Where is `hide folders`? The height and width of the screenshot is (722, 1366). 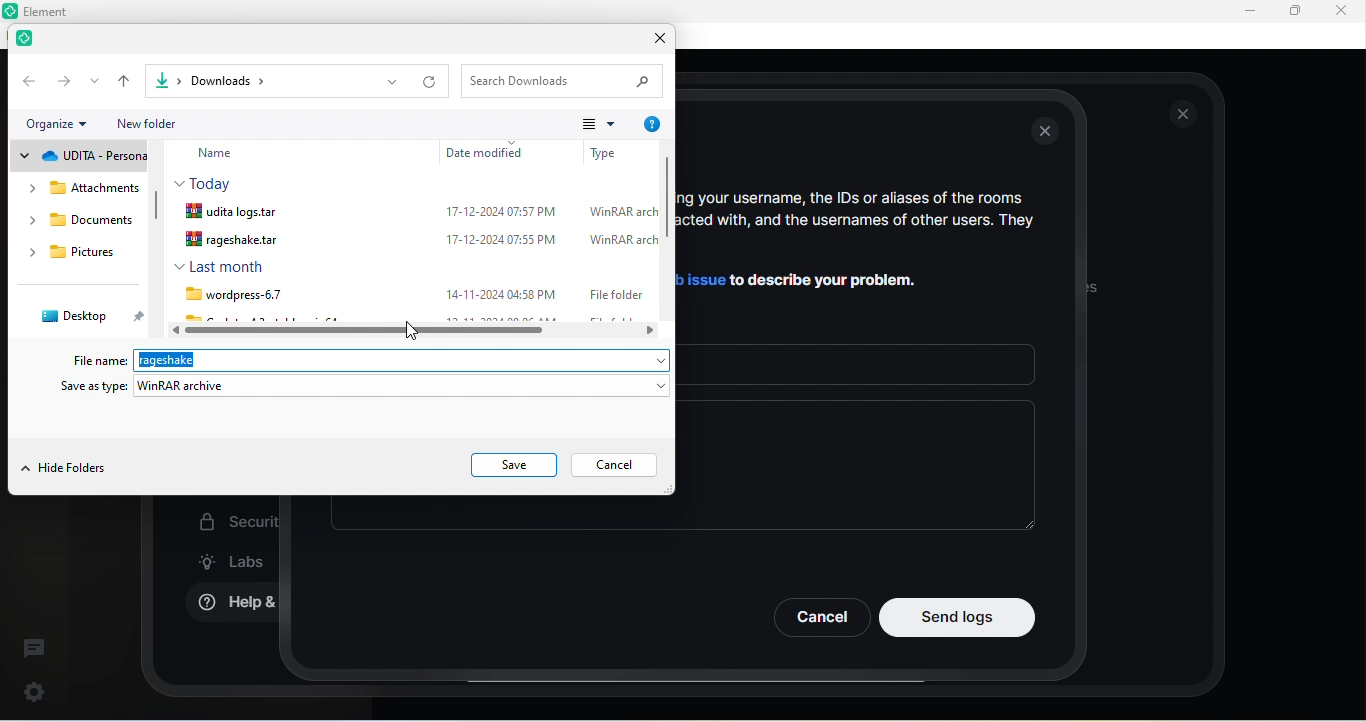 hide folders is located at coordinates (65, 470).